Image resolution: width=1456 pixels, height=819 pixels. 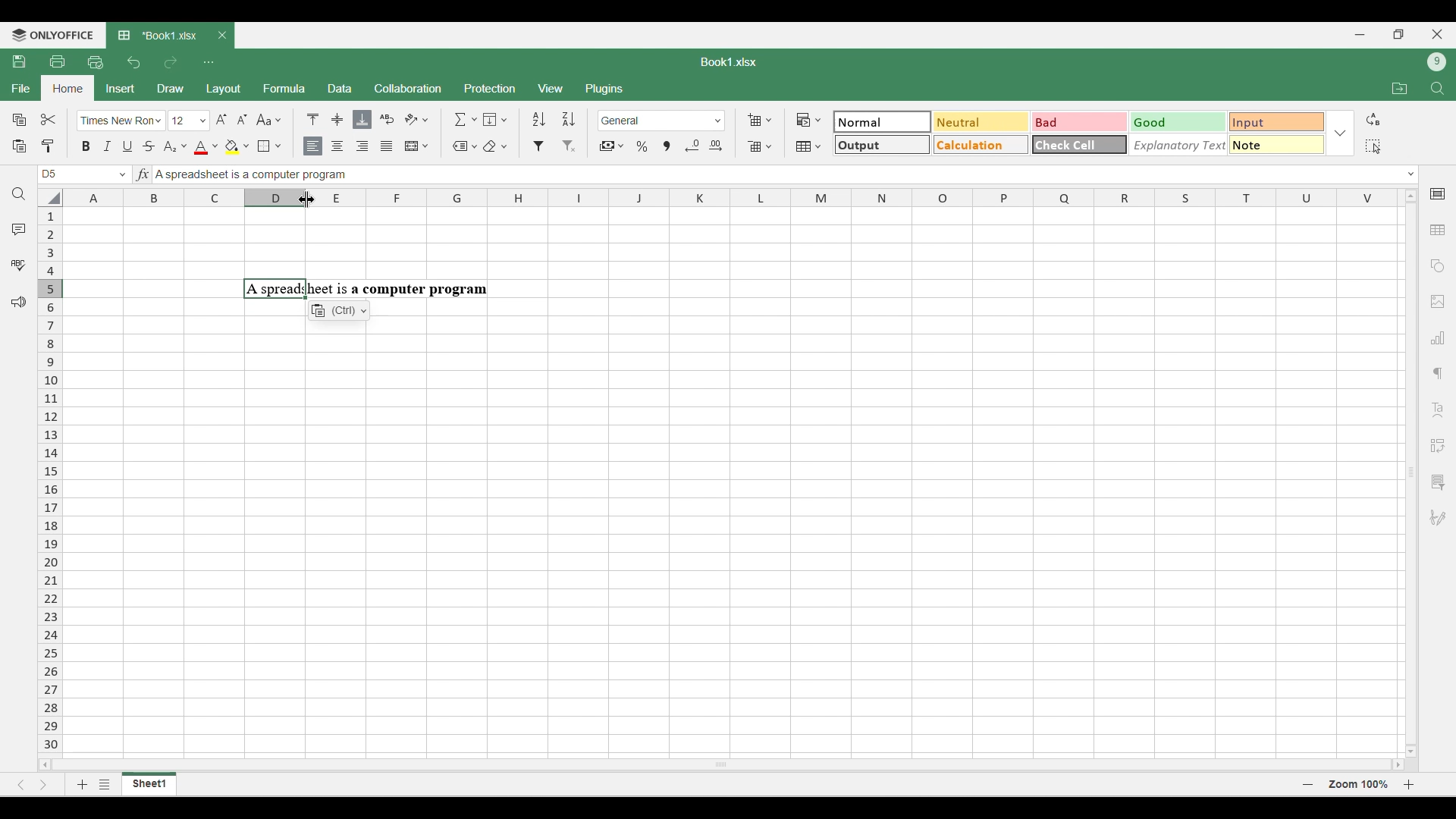 What do you see at coordinates (210, 120) in the screenshot?
I see `Text size settings` at bounding box center [210, 120].